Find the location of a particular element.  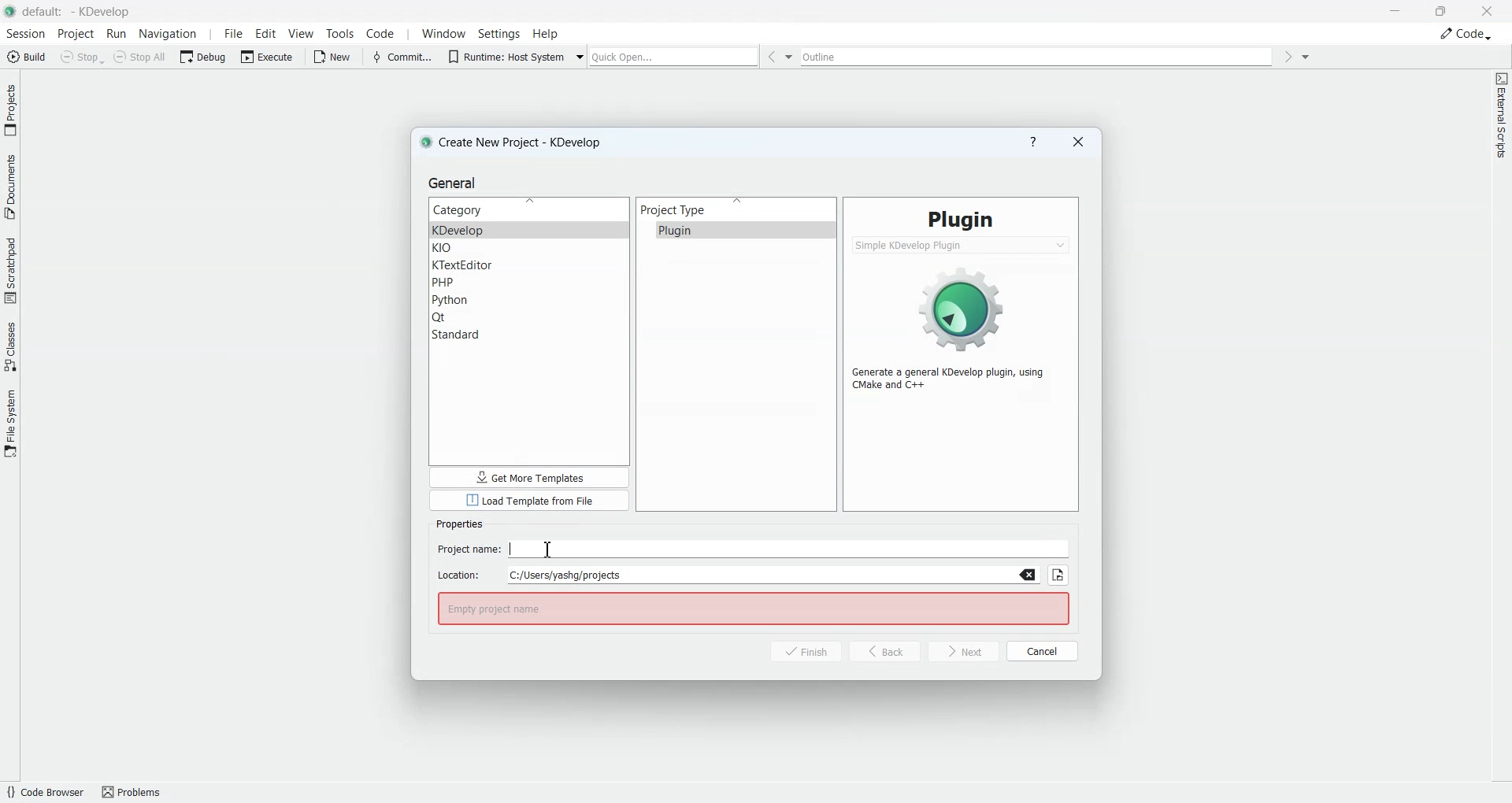

Edit is located at coordinates (266, 33).